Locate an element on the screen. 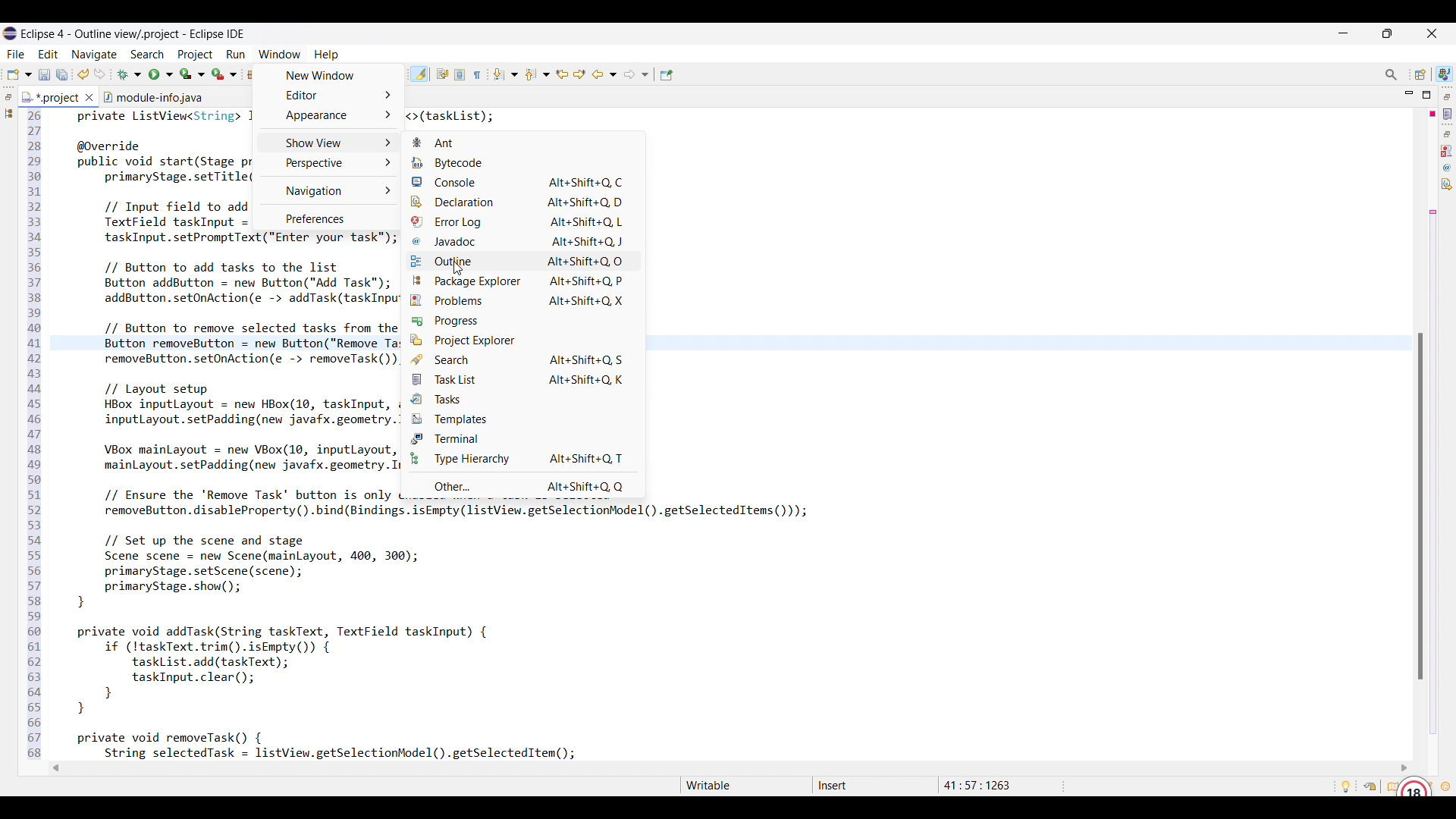 This screenshot has height=819, width=1456. Next annotation is located at coordinates (505, 74).